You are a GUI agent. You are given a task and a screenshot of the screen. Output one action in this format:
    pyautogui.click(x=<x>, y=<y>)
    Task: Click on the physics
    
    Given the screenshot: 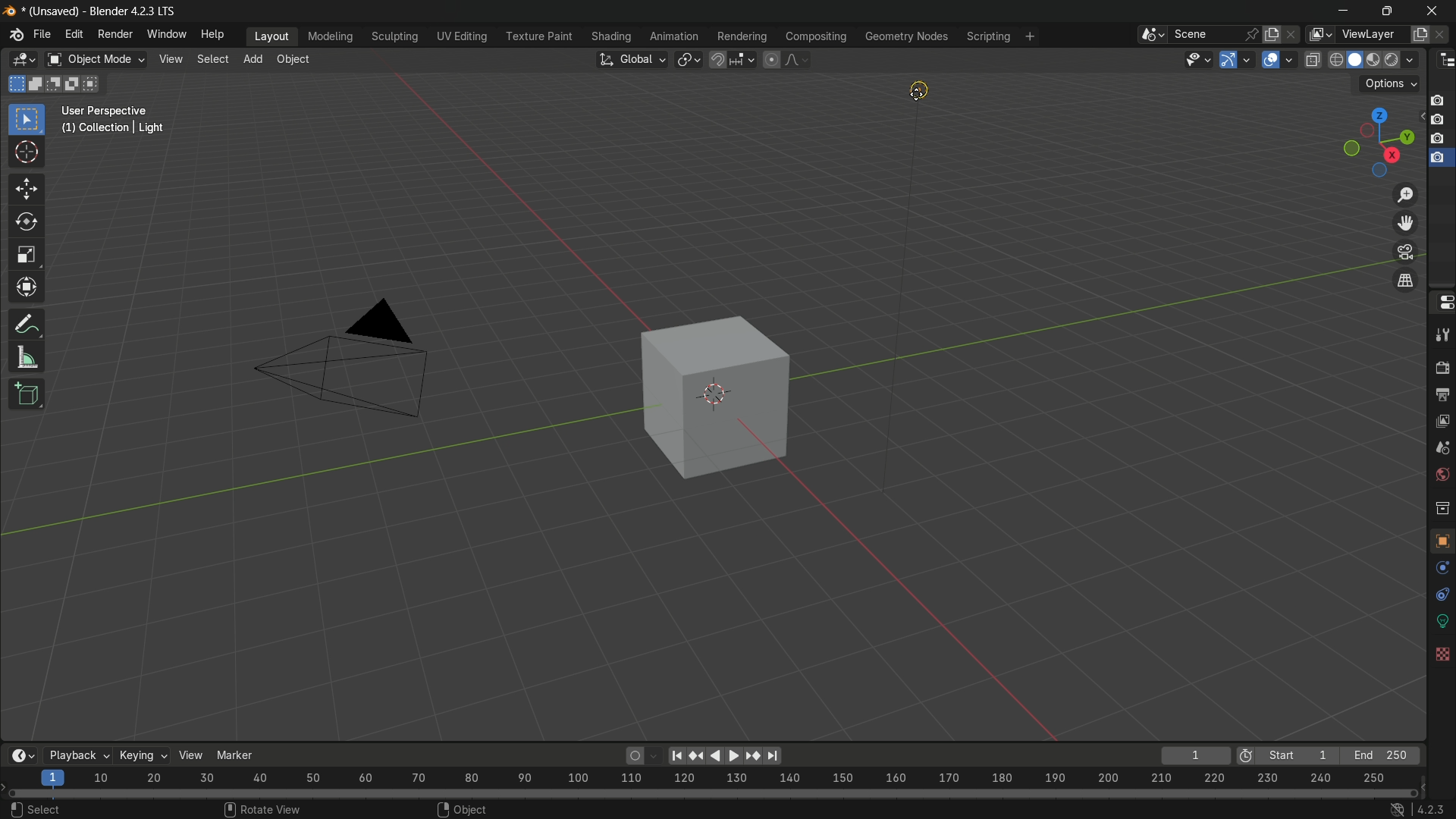 What is the action you would take?
    pyautogui.click(x=1439, y=623)
    